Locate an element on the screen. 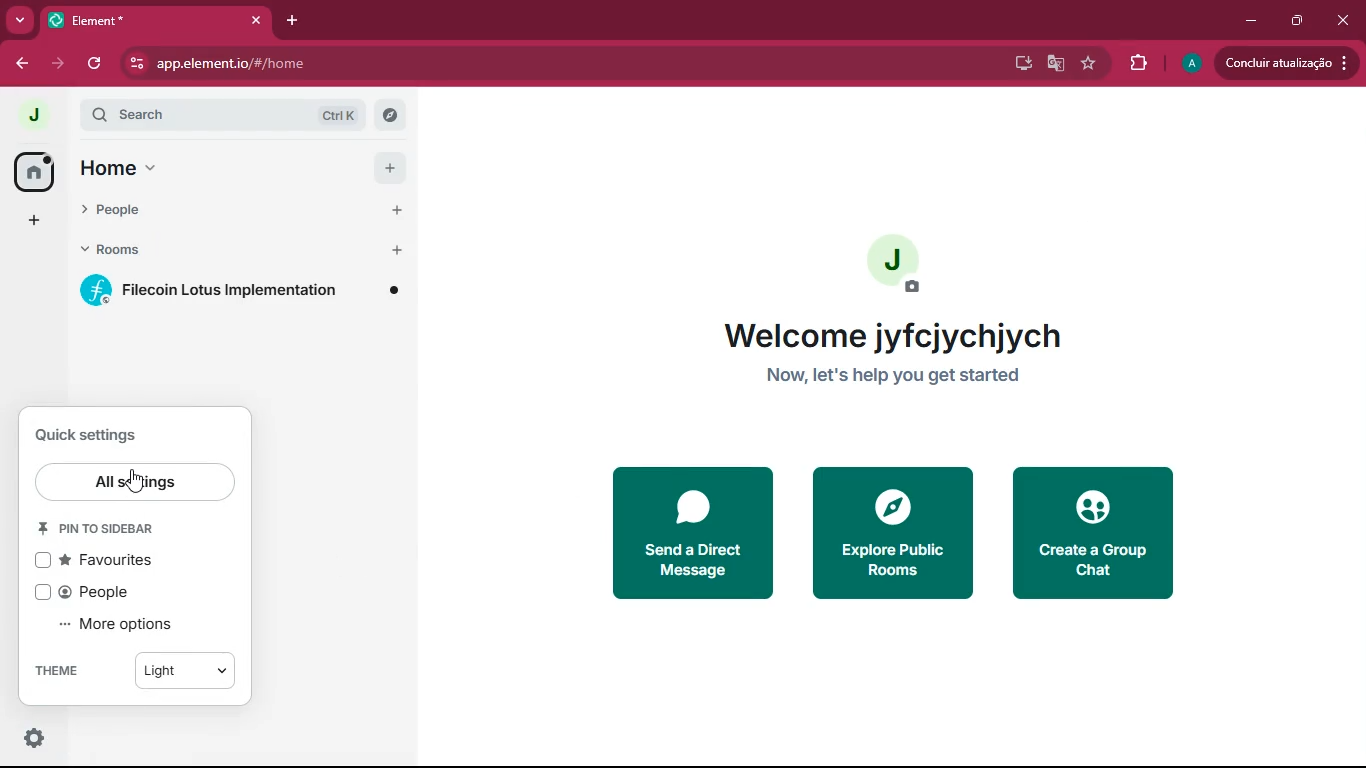 Image resolution: width=1366 pixels, height=768 pixels. people is located at coordinates (91, 591).